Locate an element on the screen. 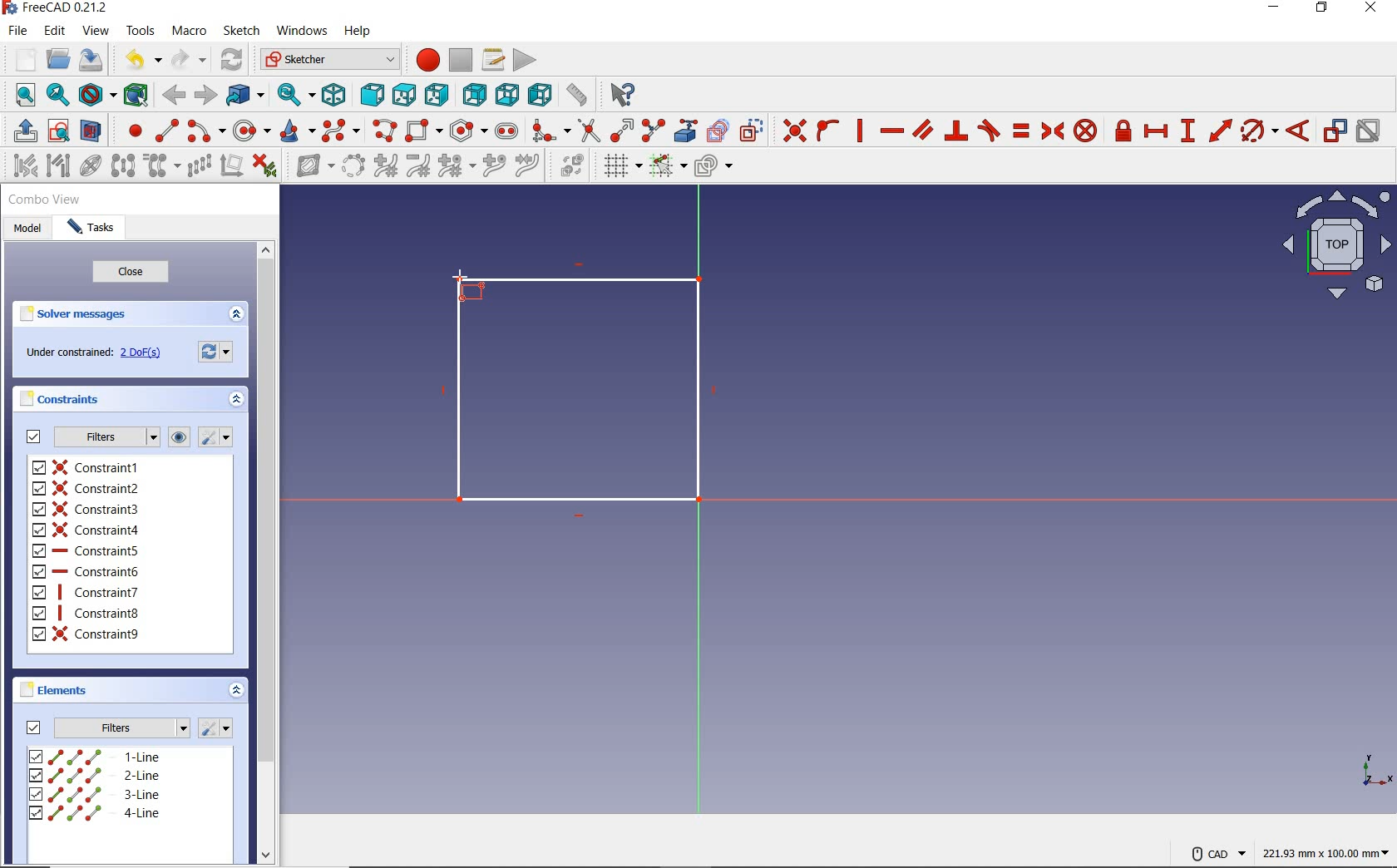  windows is located at coordinates (302, 31).